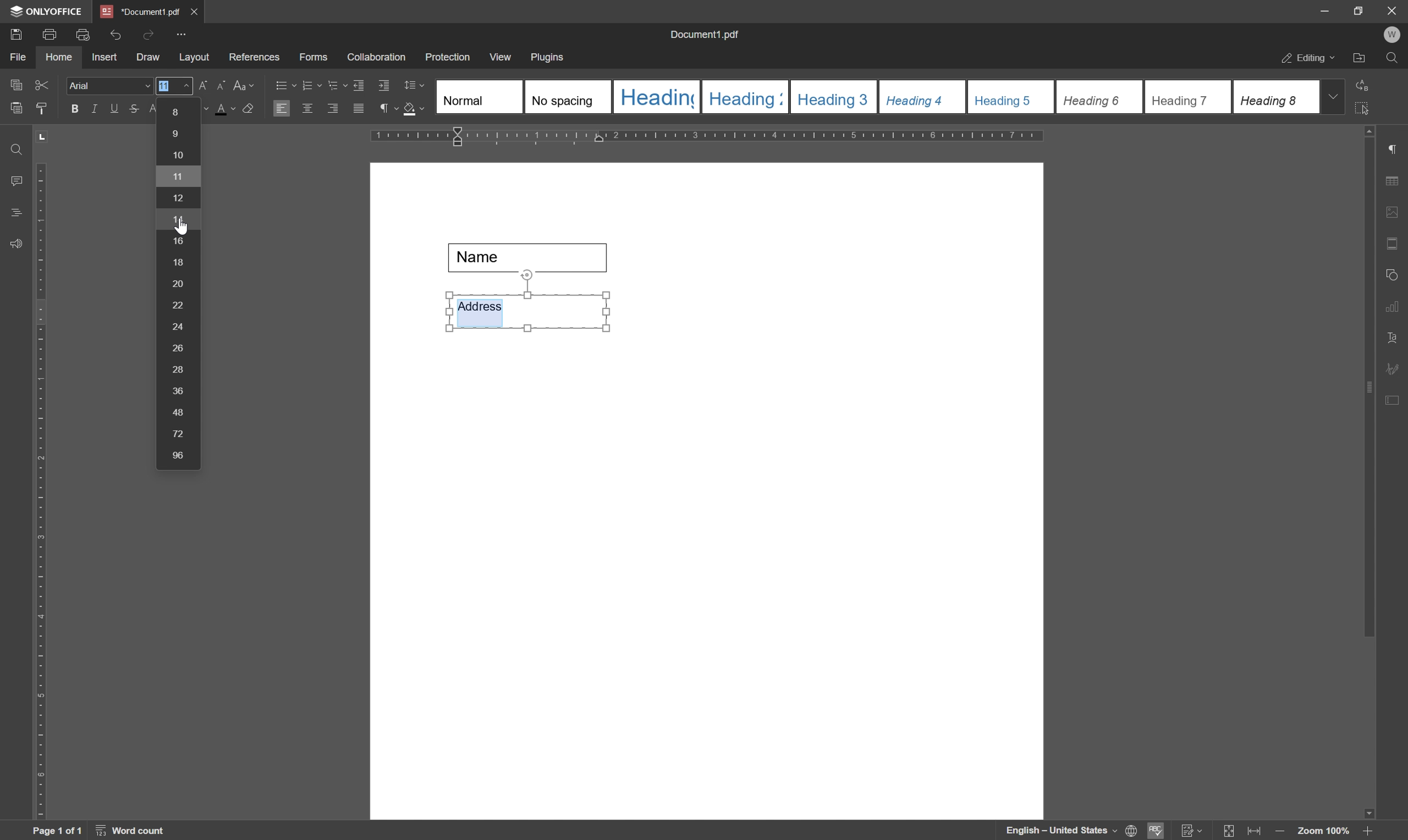 The height and width of the screenshot is (840, 1408). What do you see at coordinates (1354, 10) in the screenshot?
I see `restore down` at bounding box center [1354, 10].